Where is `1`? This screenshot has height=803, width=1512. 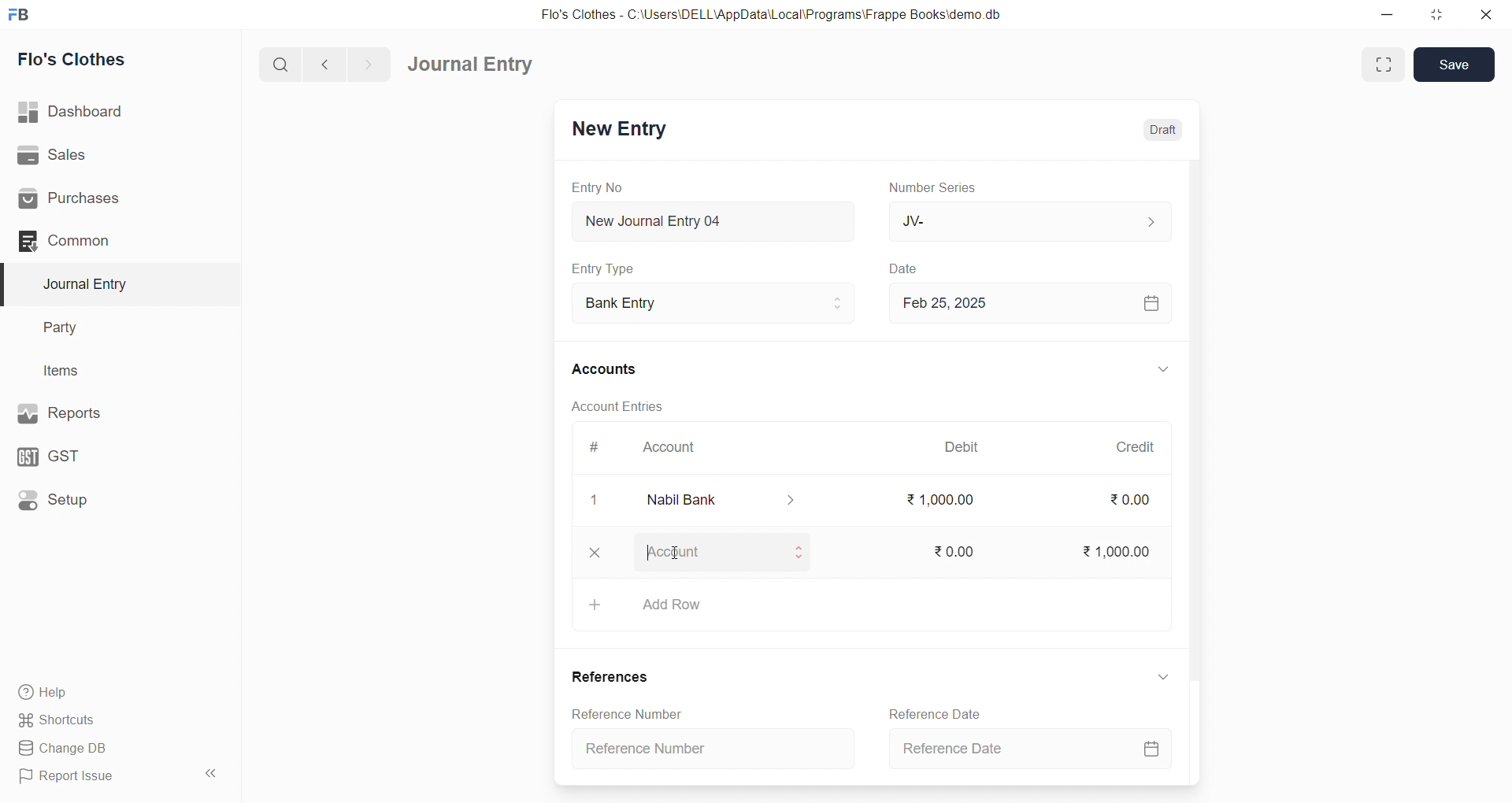 1 is located at coordinates (587, 500).